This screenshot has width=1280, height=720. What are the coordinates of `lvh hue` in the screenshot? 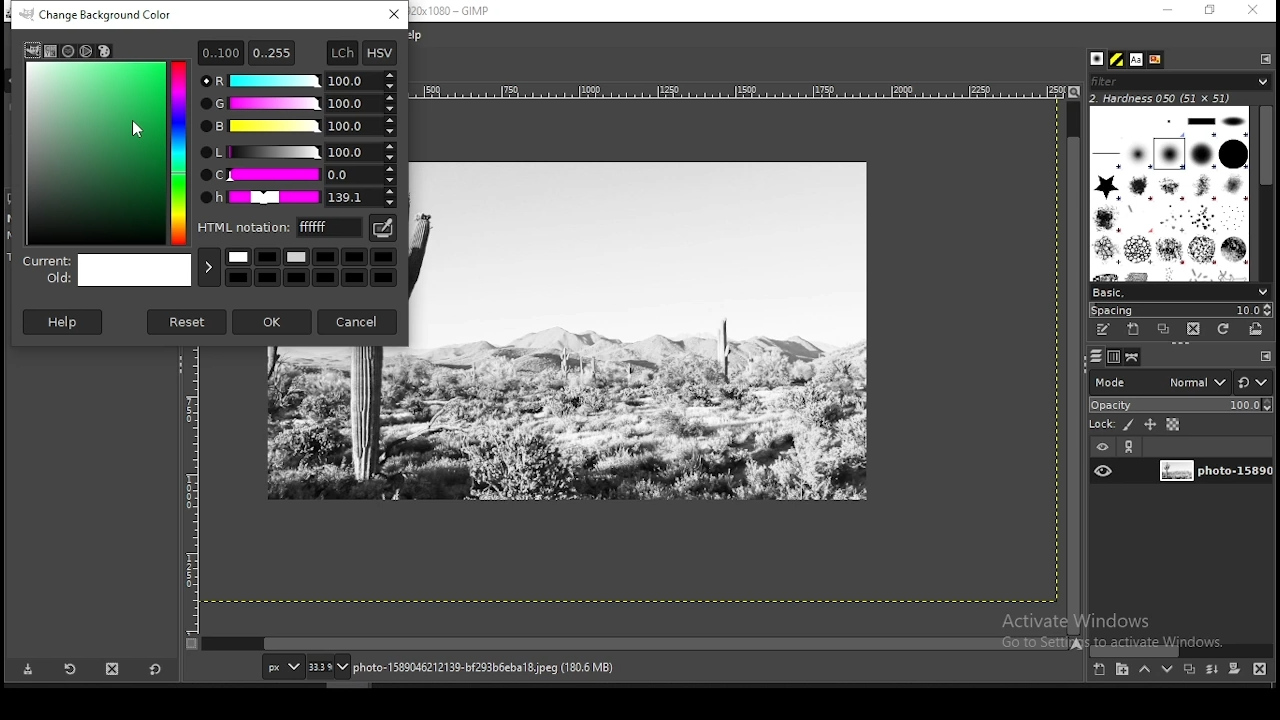 It's located at (299, 198).